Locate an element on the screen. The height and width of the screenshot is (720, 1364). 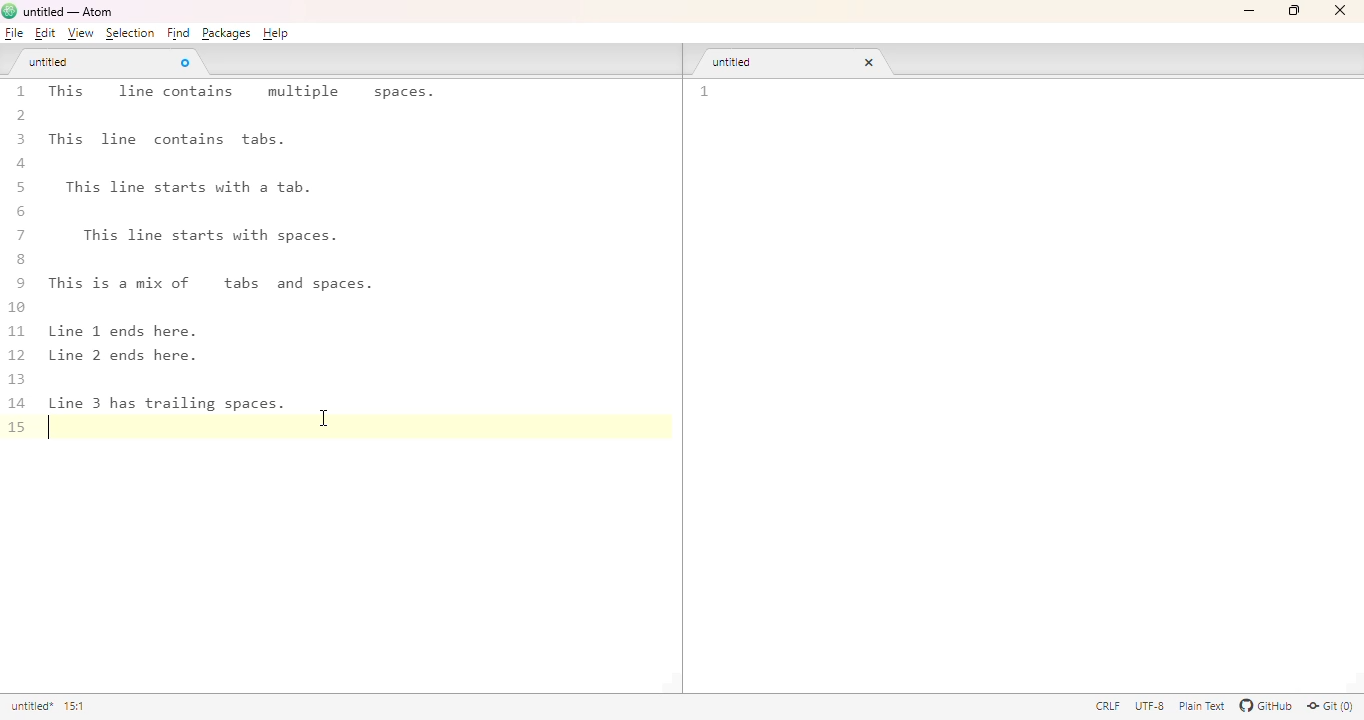
line 15, column 1 is located at coordinates (79, 706).